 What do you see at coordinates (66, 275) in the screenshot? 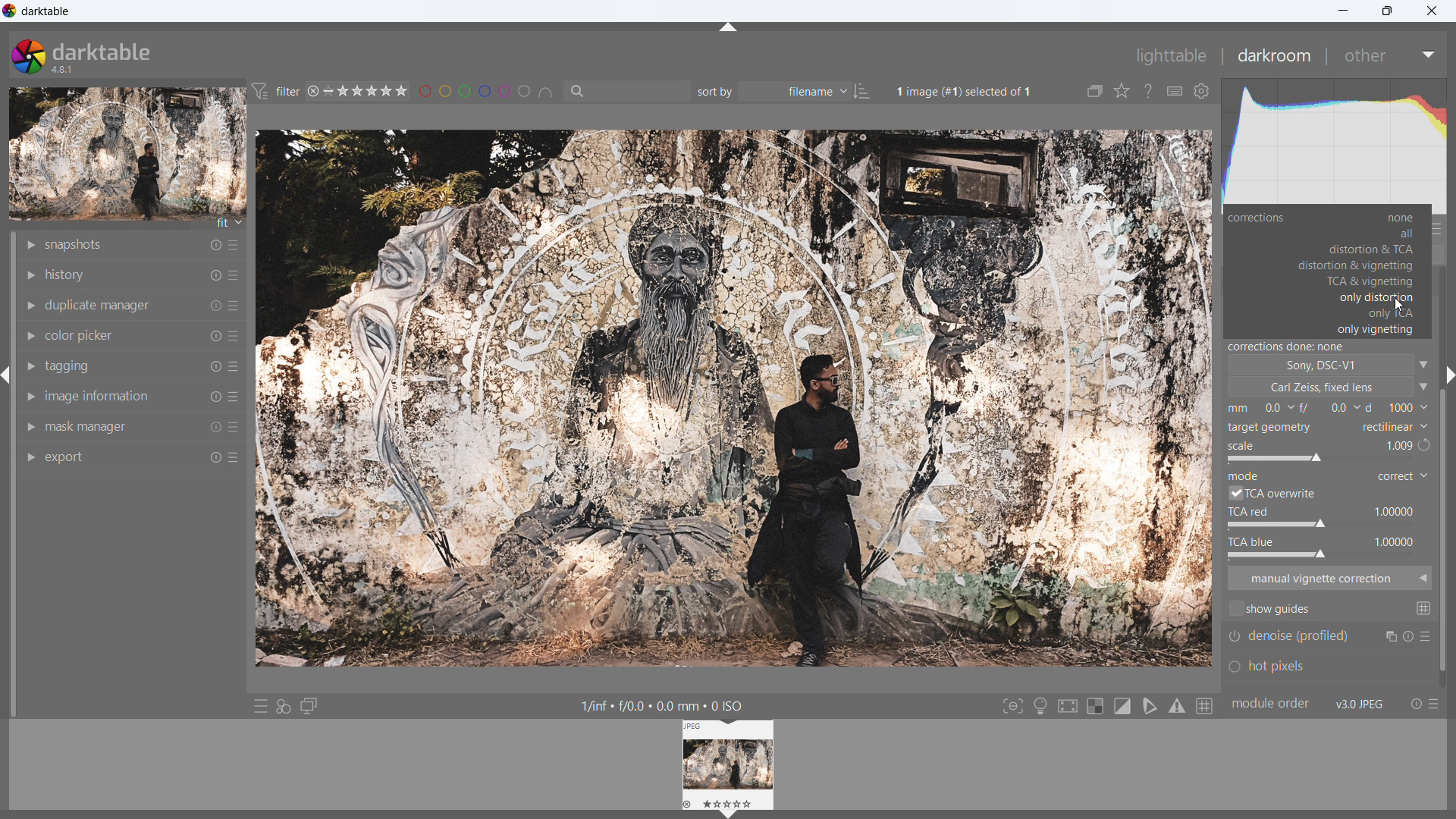
I see `history` at bounding box center [66, 275].